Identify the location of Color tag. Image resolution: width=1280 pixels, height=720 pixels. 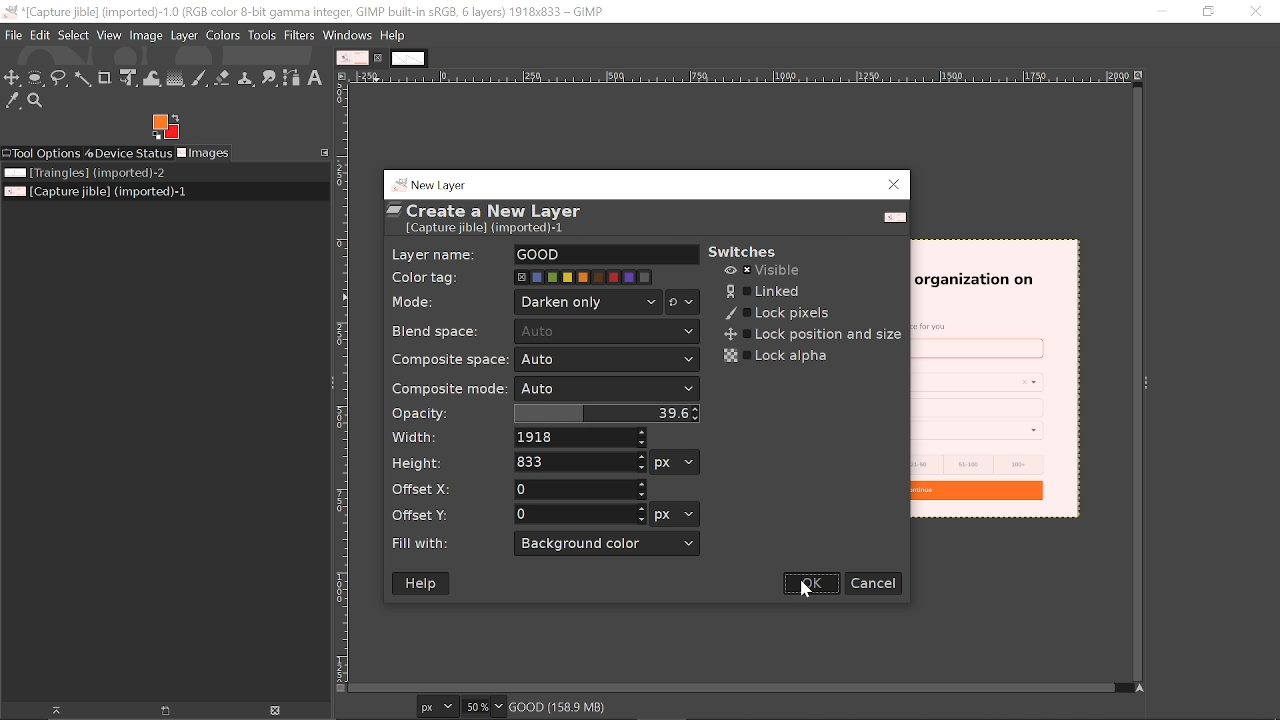
(585, 277).